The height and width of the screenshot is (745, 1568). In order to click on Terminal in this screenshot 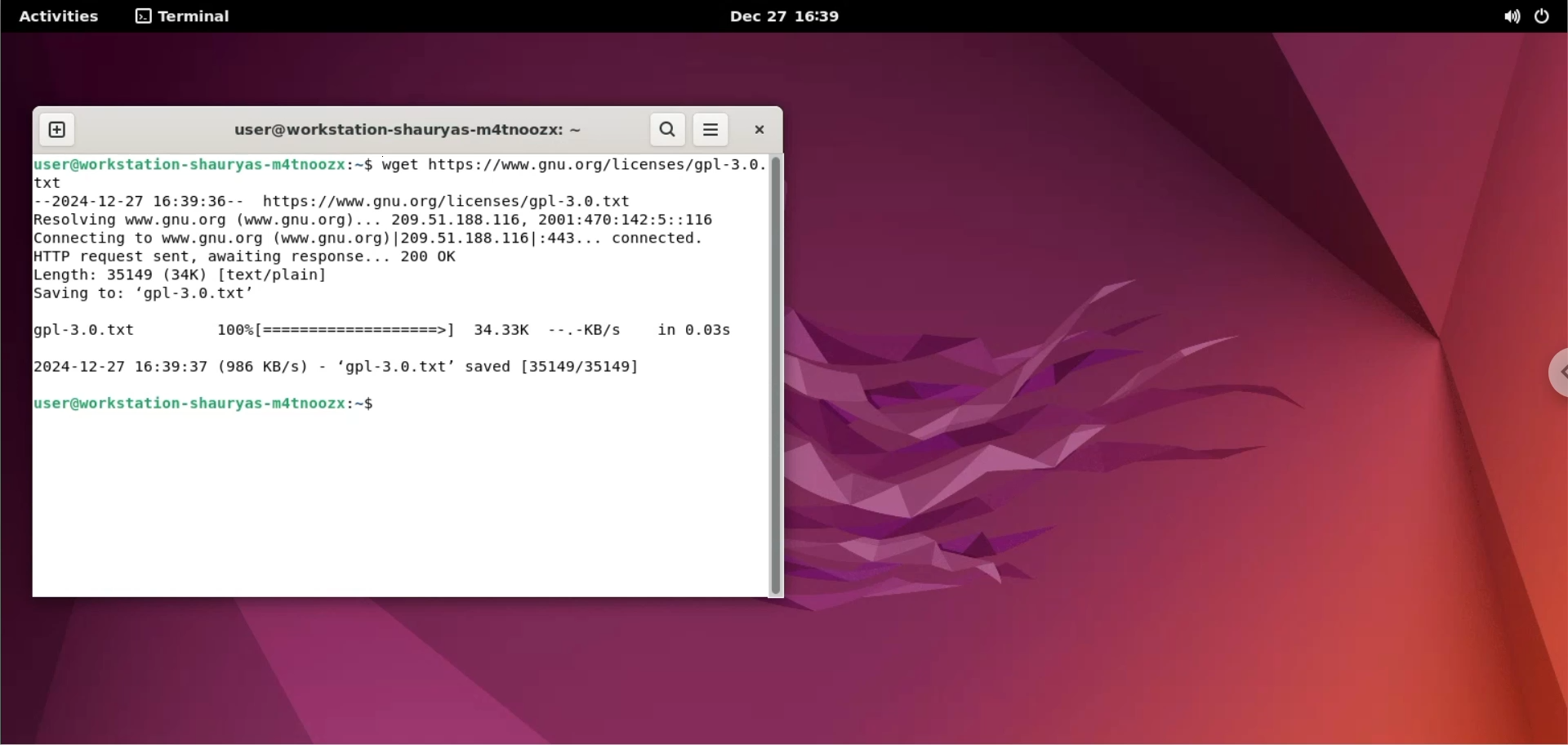, I will do `click(197, 16)`.